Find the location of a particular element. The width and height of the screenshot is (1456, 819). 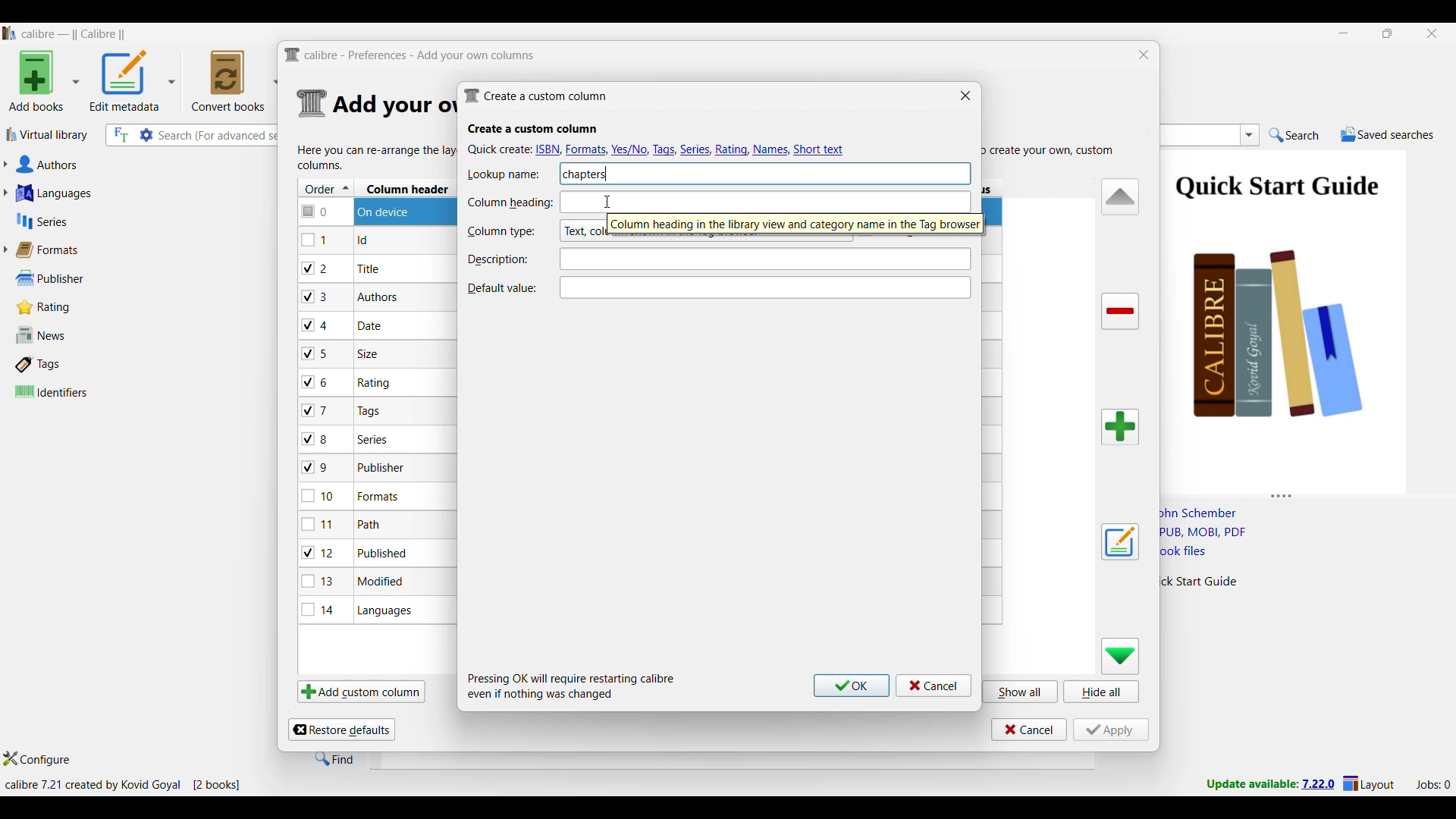

Search is located at coordinates (1294, 136).